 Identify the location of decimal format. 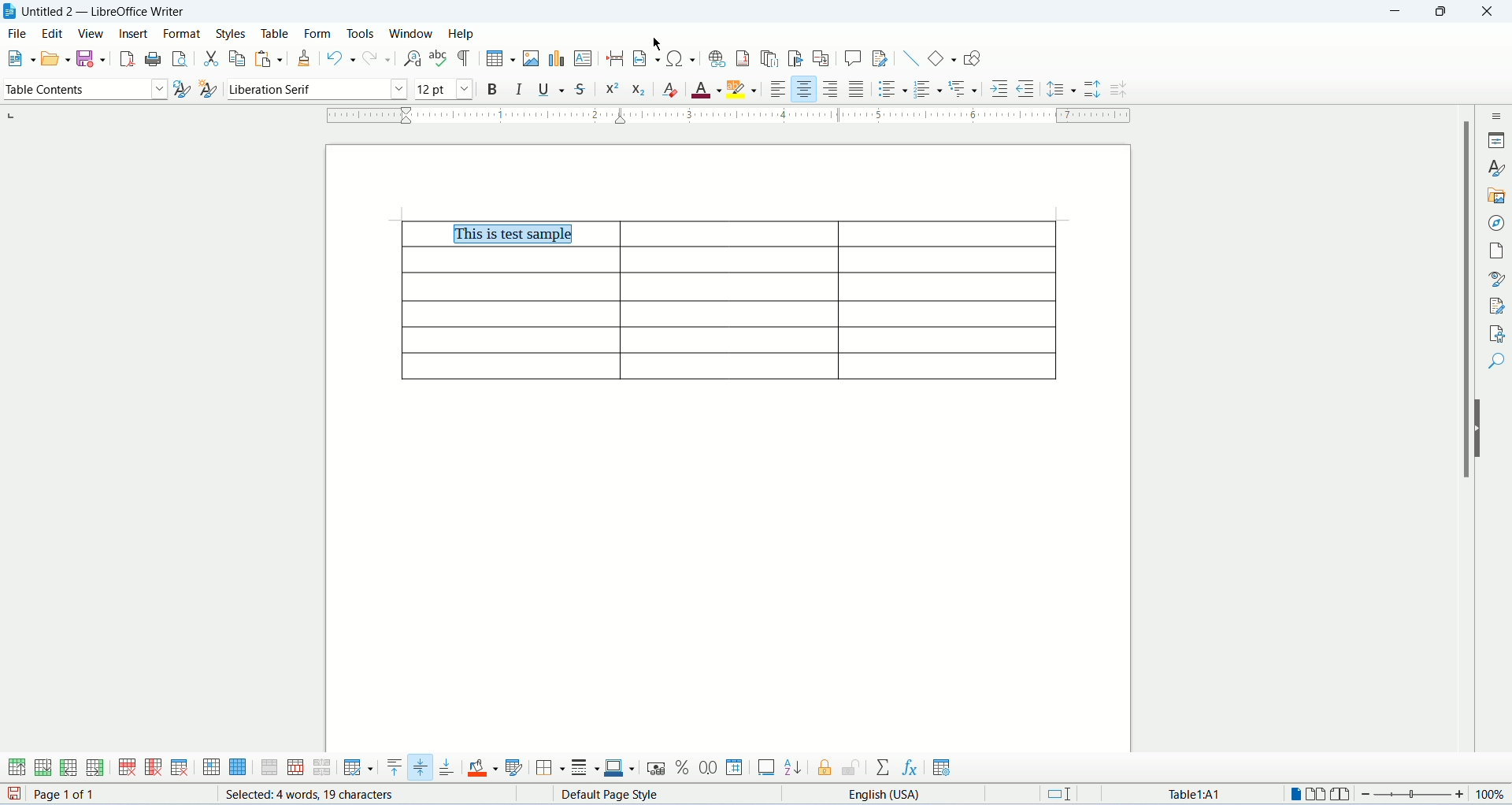
(710, 766).